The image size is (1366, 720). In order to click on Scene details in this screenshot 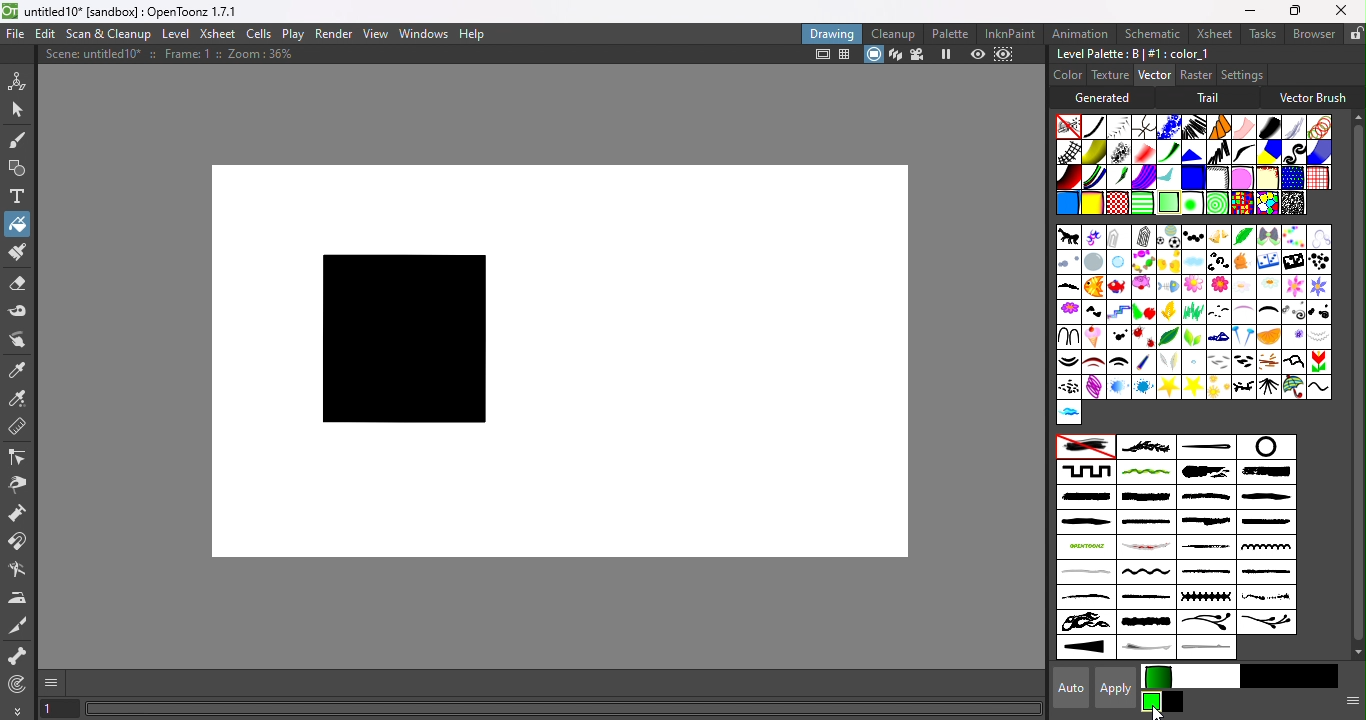, I will do `click(177, 57)`.